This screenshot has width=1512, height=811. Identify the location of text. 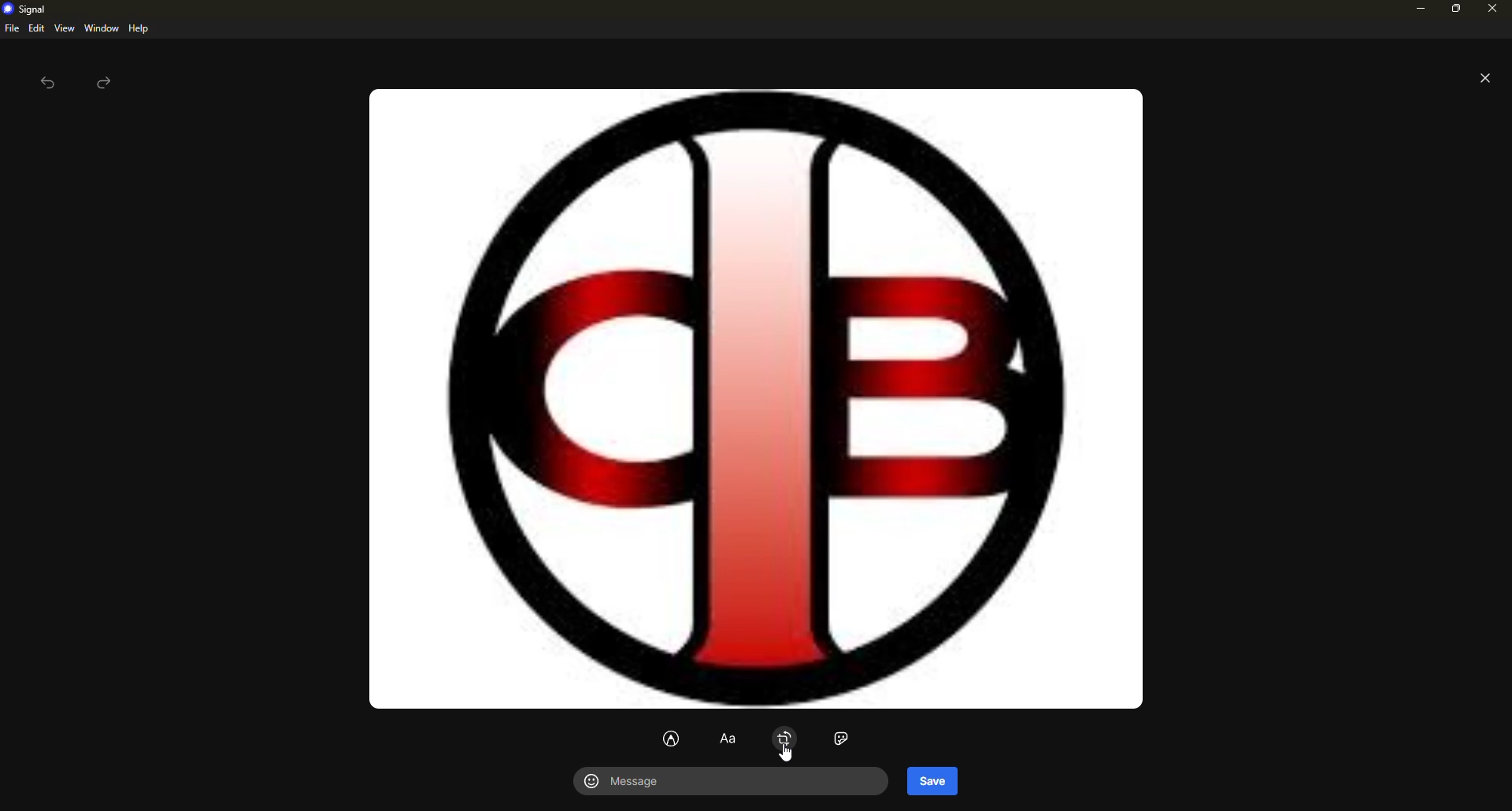
(726, 739).